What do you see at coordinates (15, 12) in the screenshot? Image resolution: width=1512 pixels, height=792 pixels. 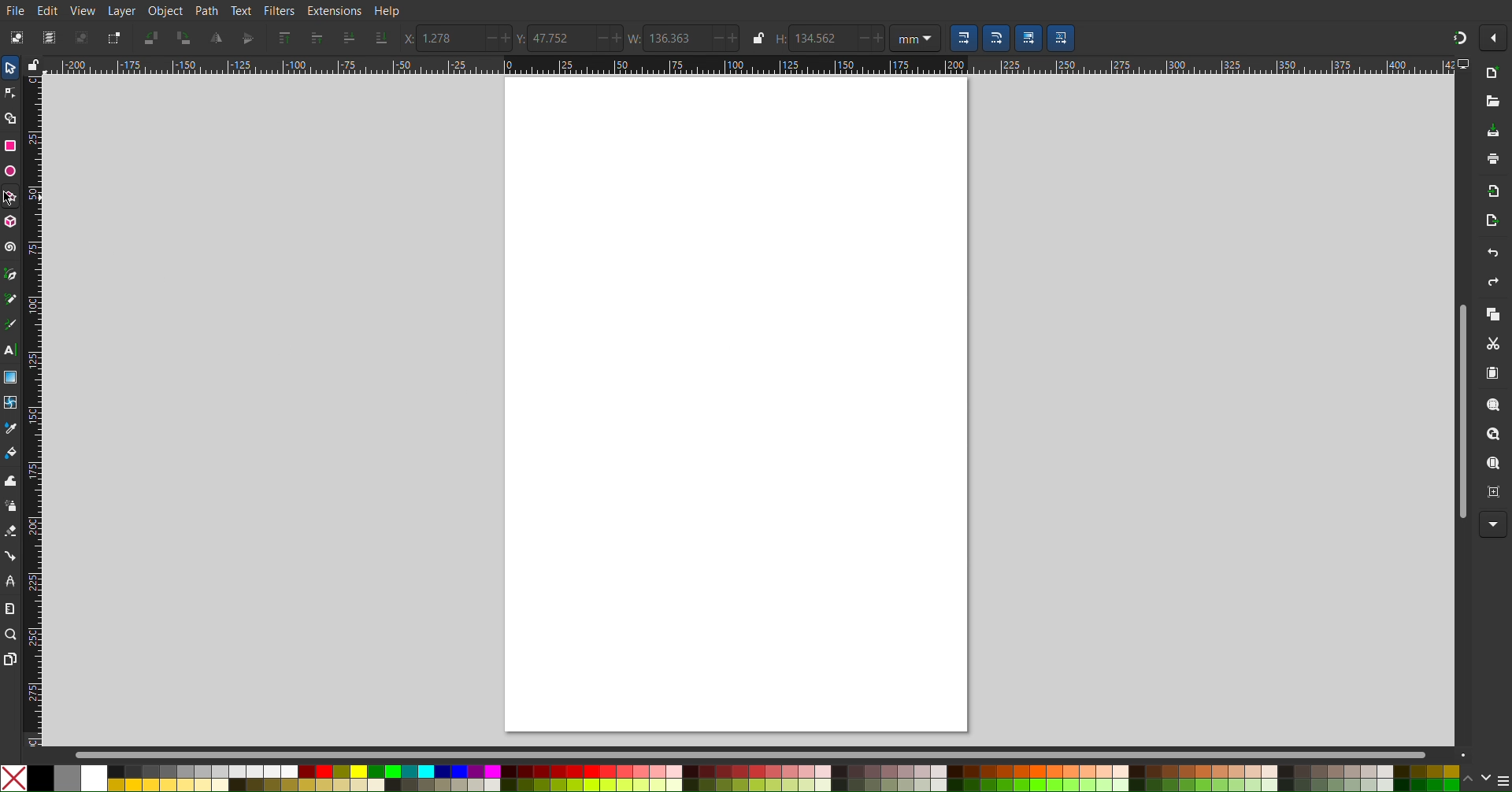 I see `File` at bounding box center [15, 12].